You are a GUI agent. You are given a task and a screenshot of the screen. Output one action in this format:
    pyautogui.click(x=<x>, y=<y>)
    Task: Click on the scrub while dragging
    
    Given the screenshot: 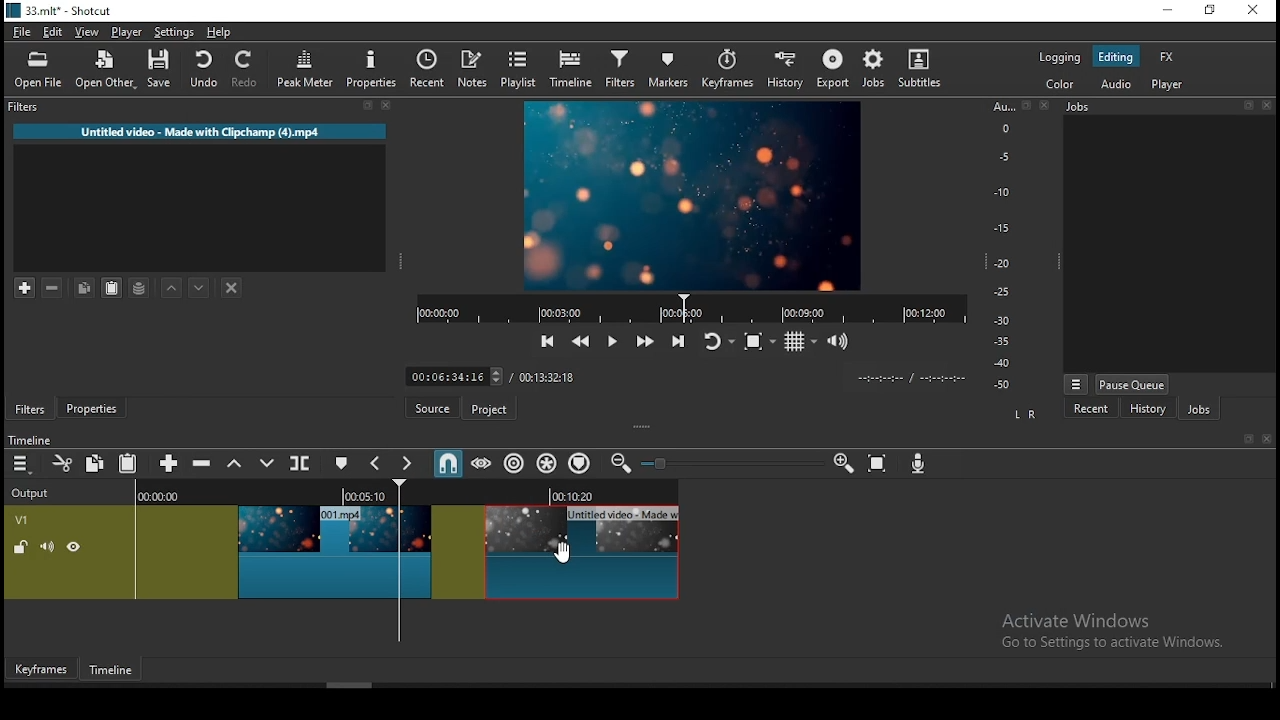 What is the action you would take?
    pyautogui.click(x=483, y=464)
    